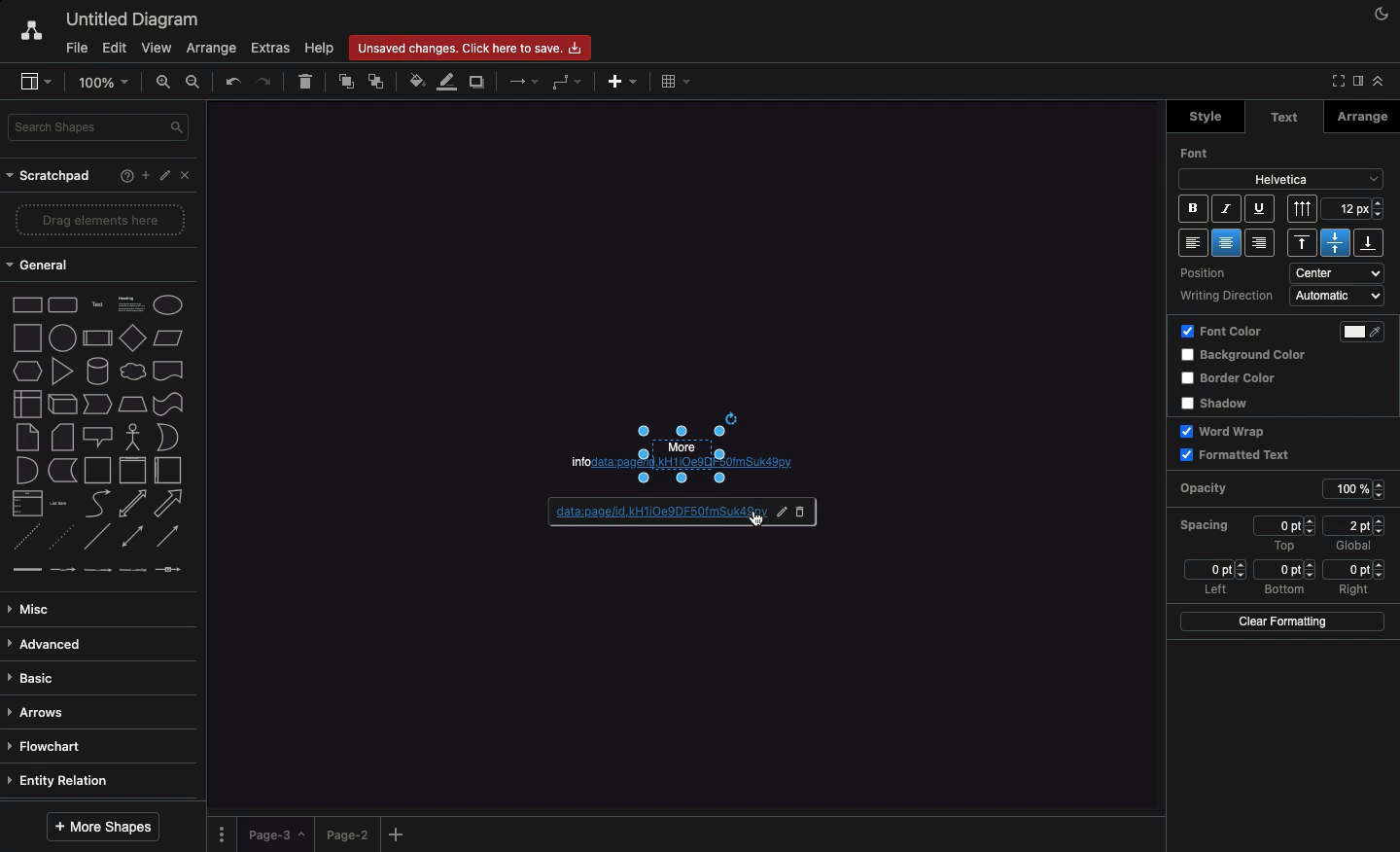 The width and height of the screenshot is (1400, 852). I want to click on Untitled diagram, so click(126, 19).